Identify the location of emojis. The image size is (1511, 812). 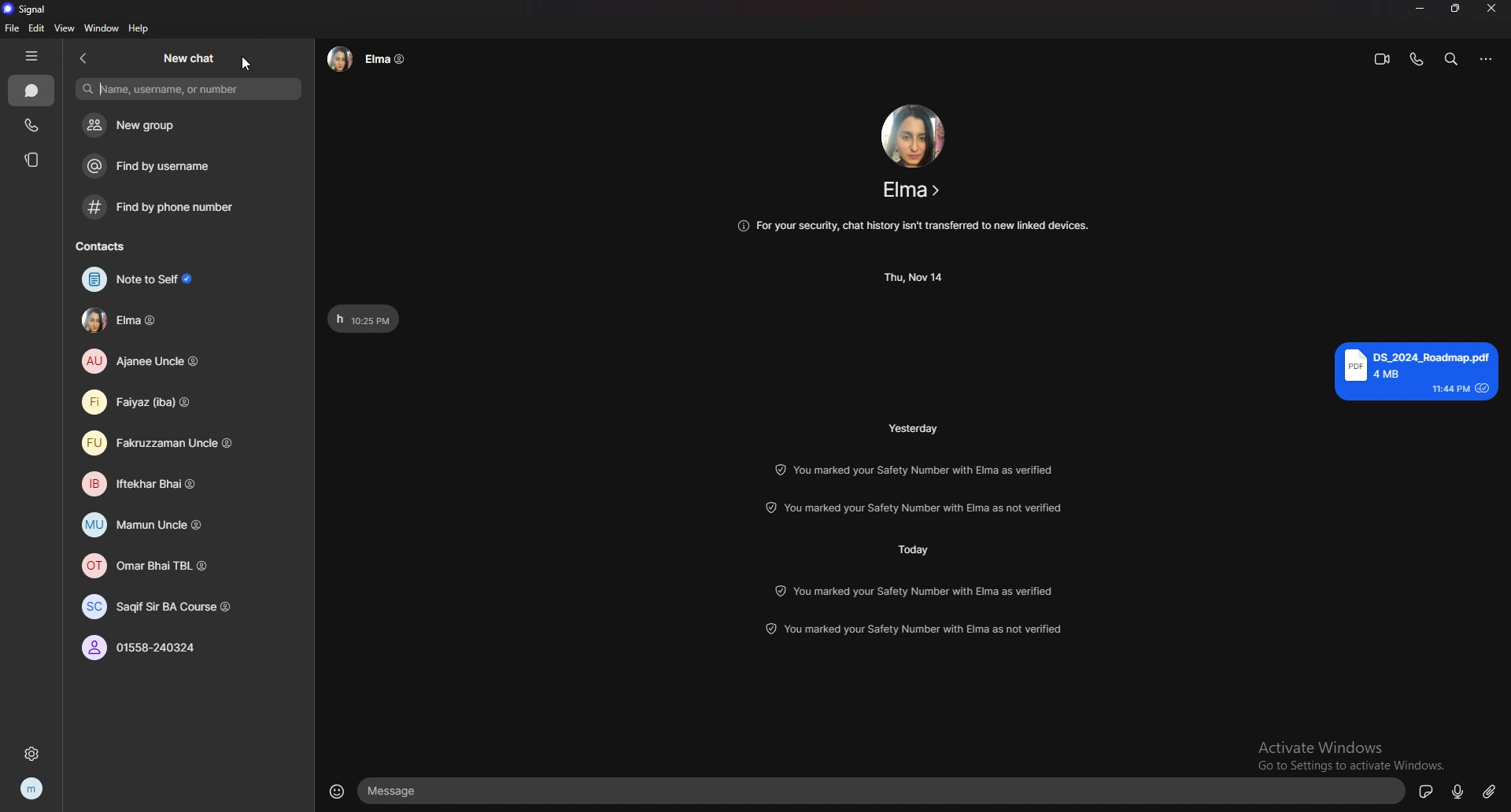
(337, 789).